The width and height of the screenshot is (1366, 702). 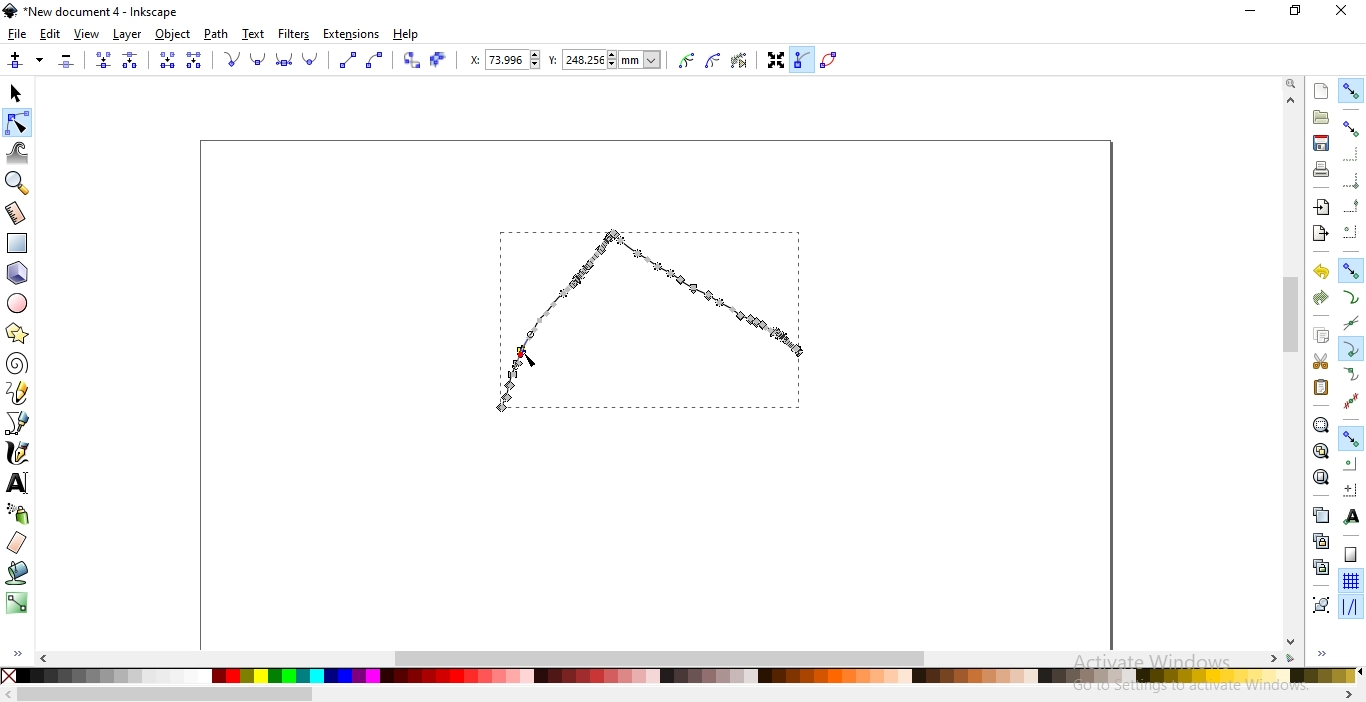 I want to click on color, so click(x=686, y=678).